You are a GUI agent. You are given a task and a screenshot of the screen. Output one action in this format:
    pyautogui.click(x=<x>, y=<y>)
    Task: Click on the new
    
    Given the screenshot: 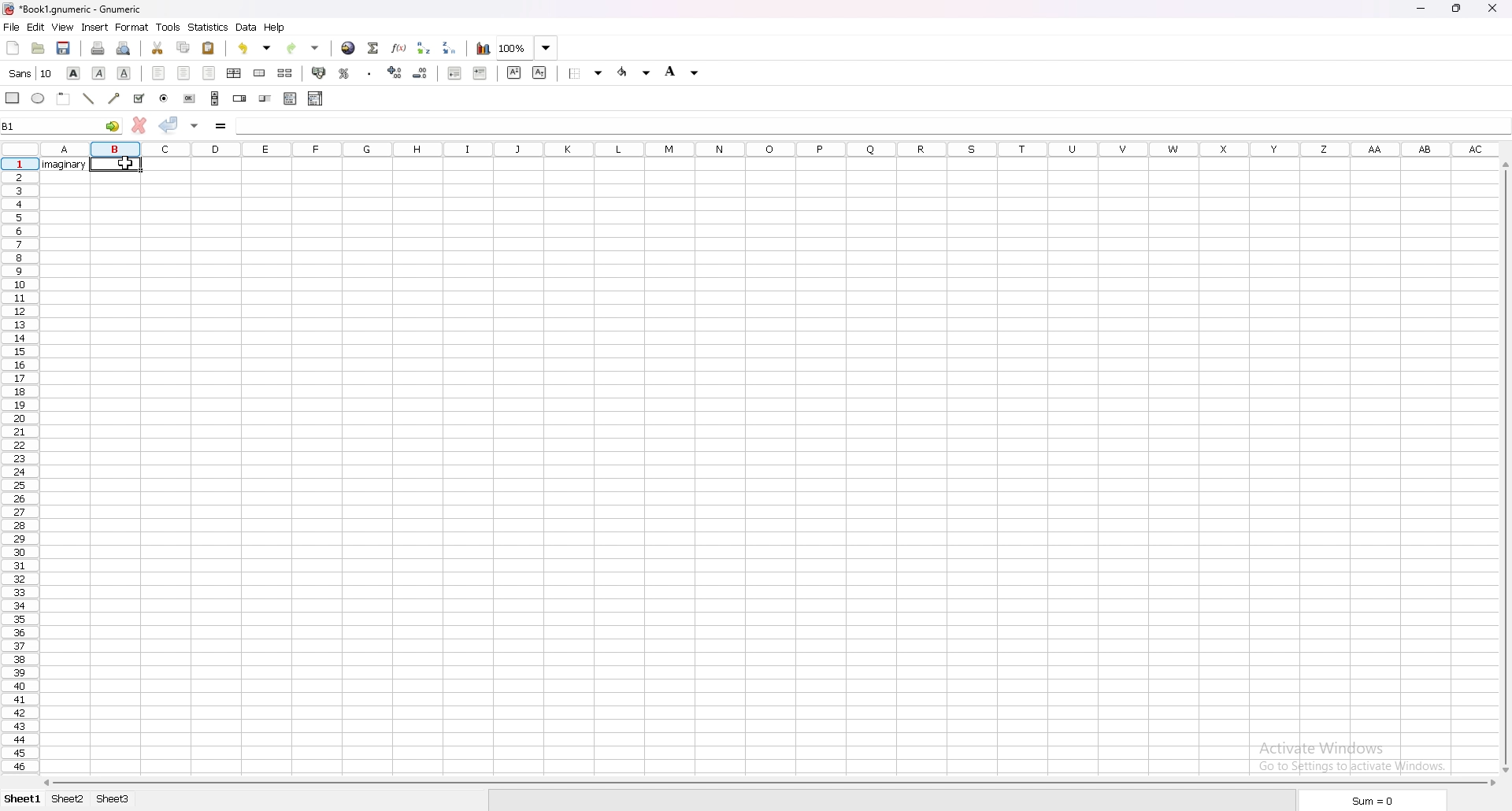 What is the action you would take?
    pyautogui.click(x=13, y=46)
    